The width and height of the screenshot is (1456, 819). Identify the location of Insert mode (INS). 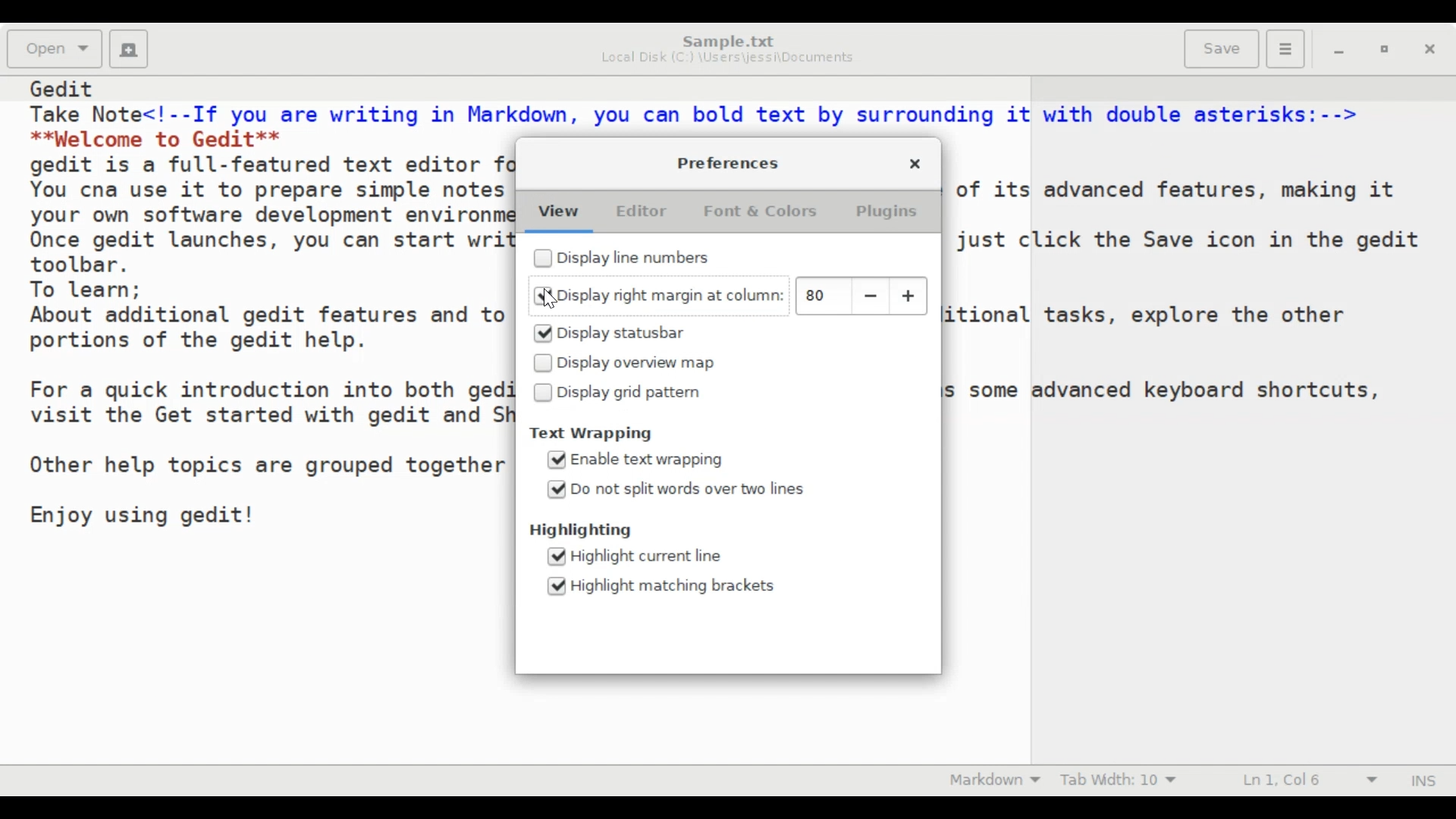
(1421, 780).